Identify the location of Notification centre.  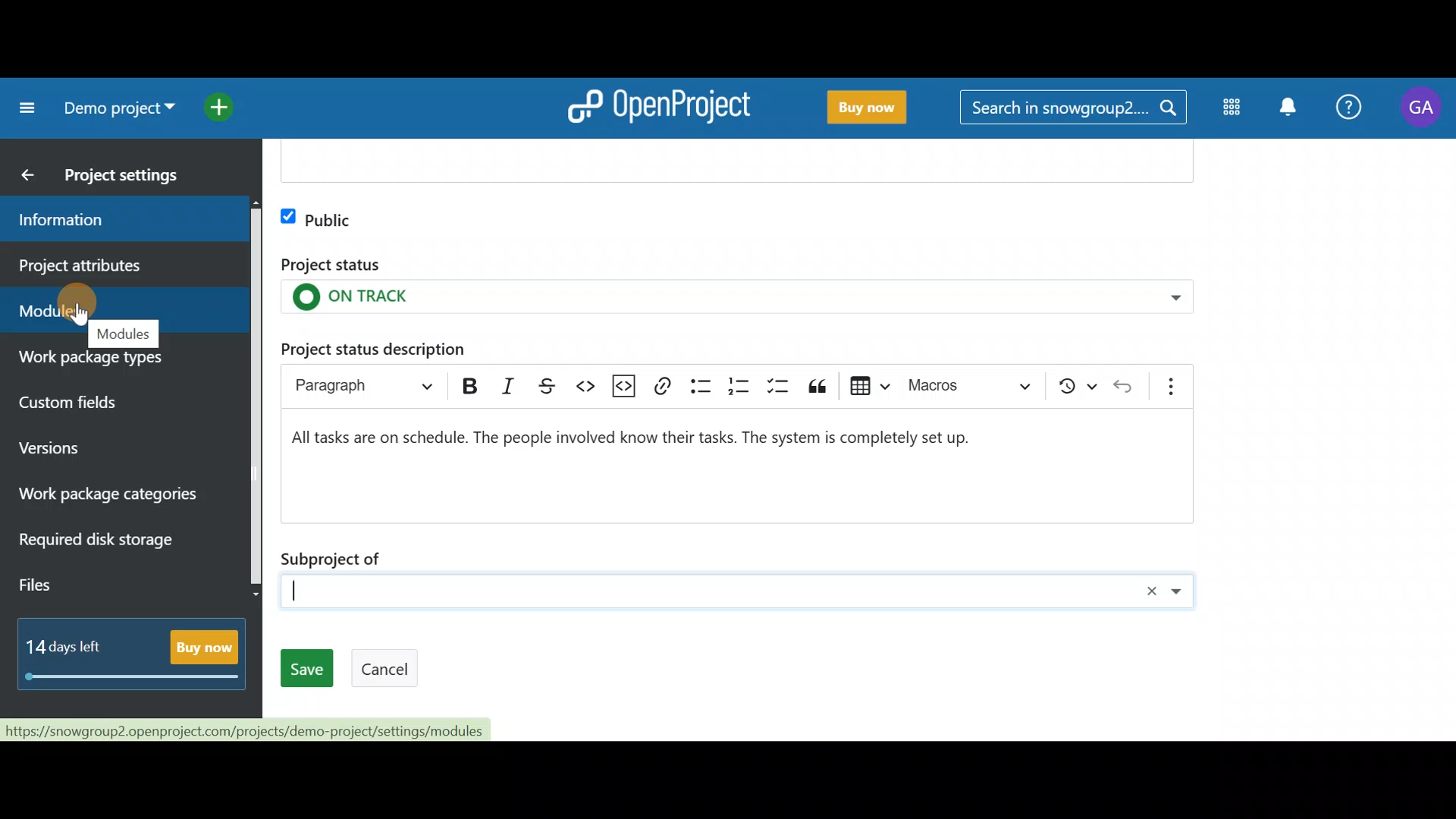
(1291, 111).